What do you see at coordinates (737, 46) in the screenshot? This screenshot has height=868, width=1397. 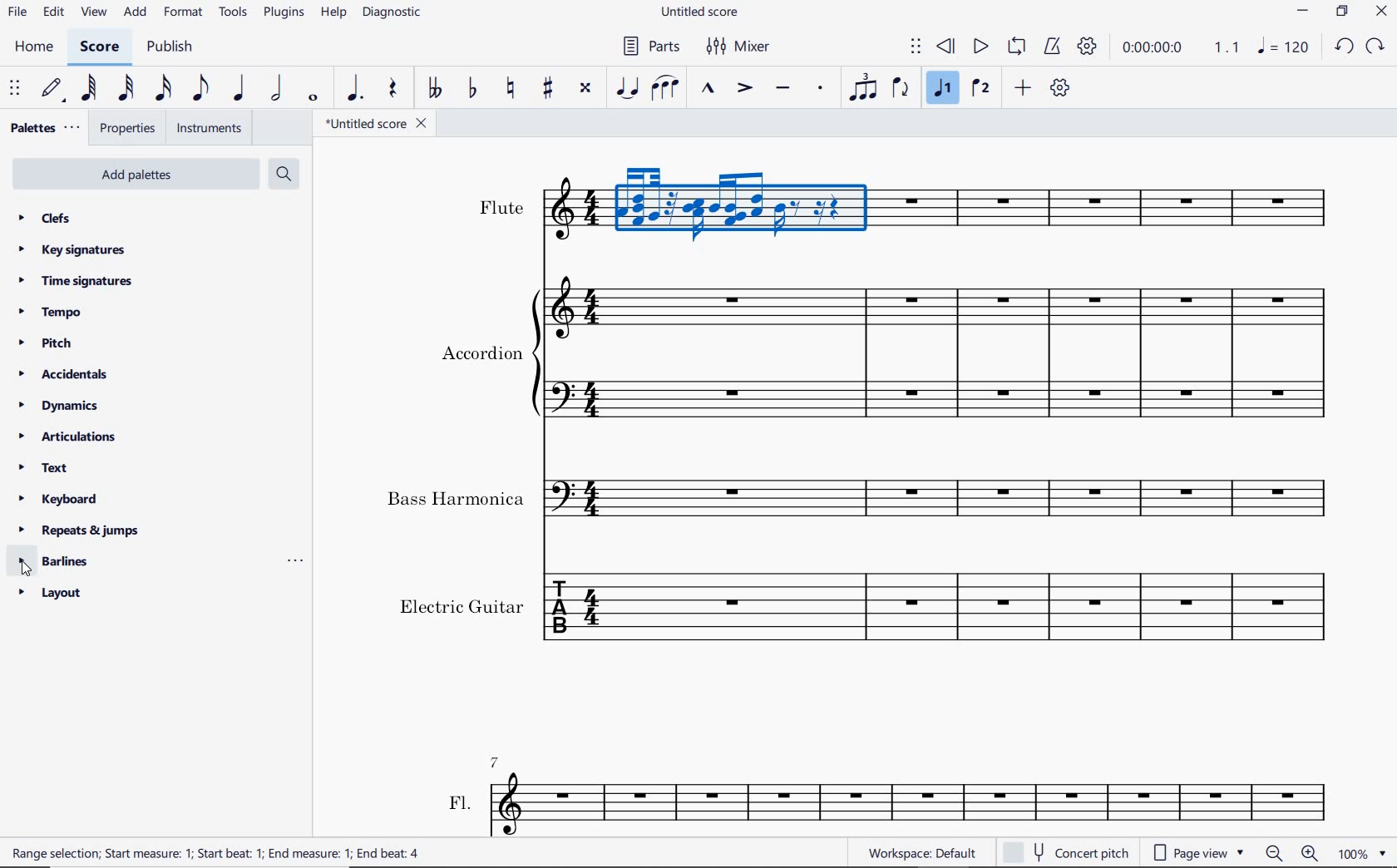 I see `MIXER` at bounding box center [737, 46].